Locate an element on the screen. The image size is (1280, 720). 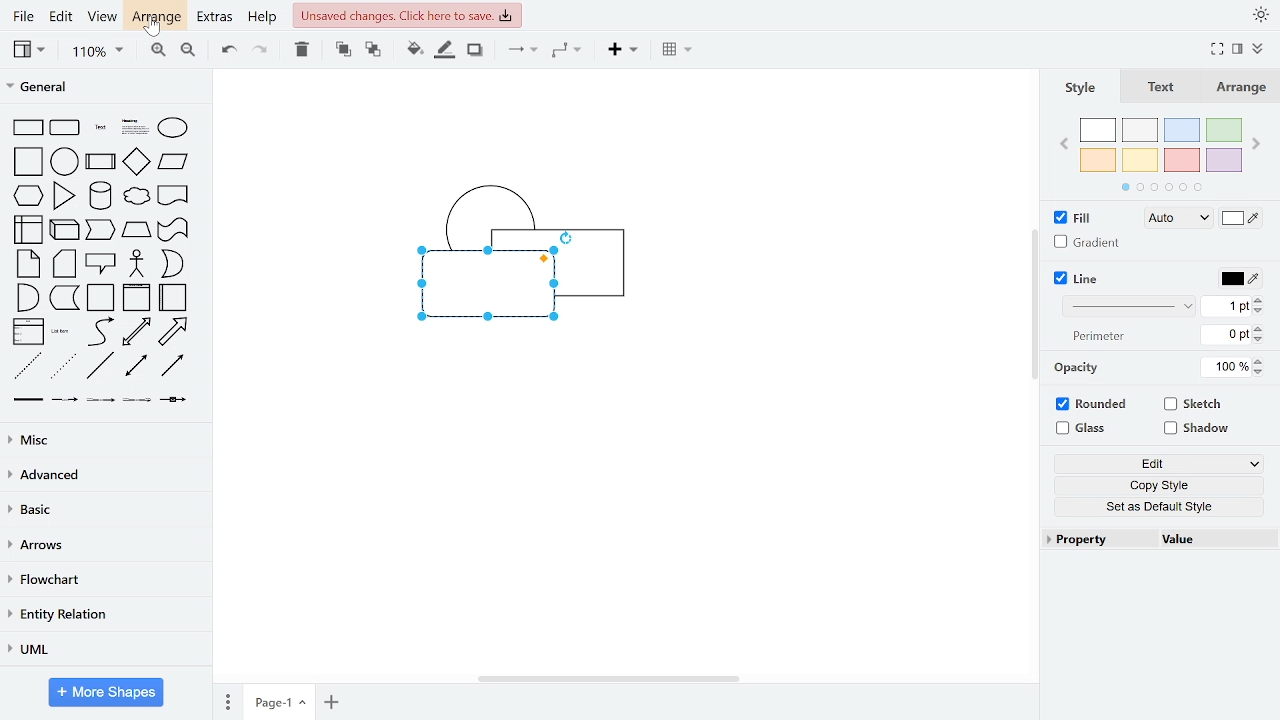
shadow is located at coordinates (1196, 430).